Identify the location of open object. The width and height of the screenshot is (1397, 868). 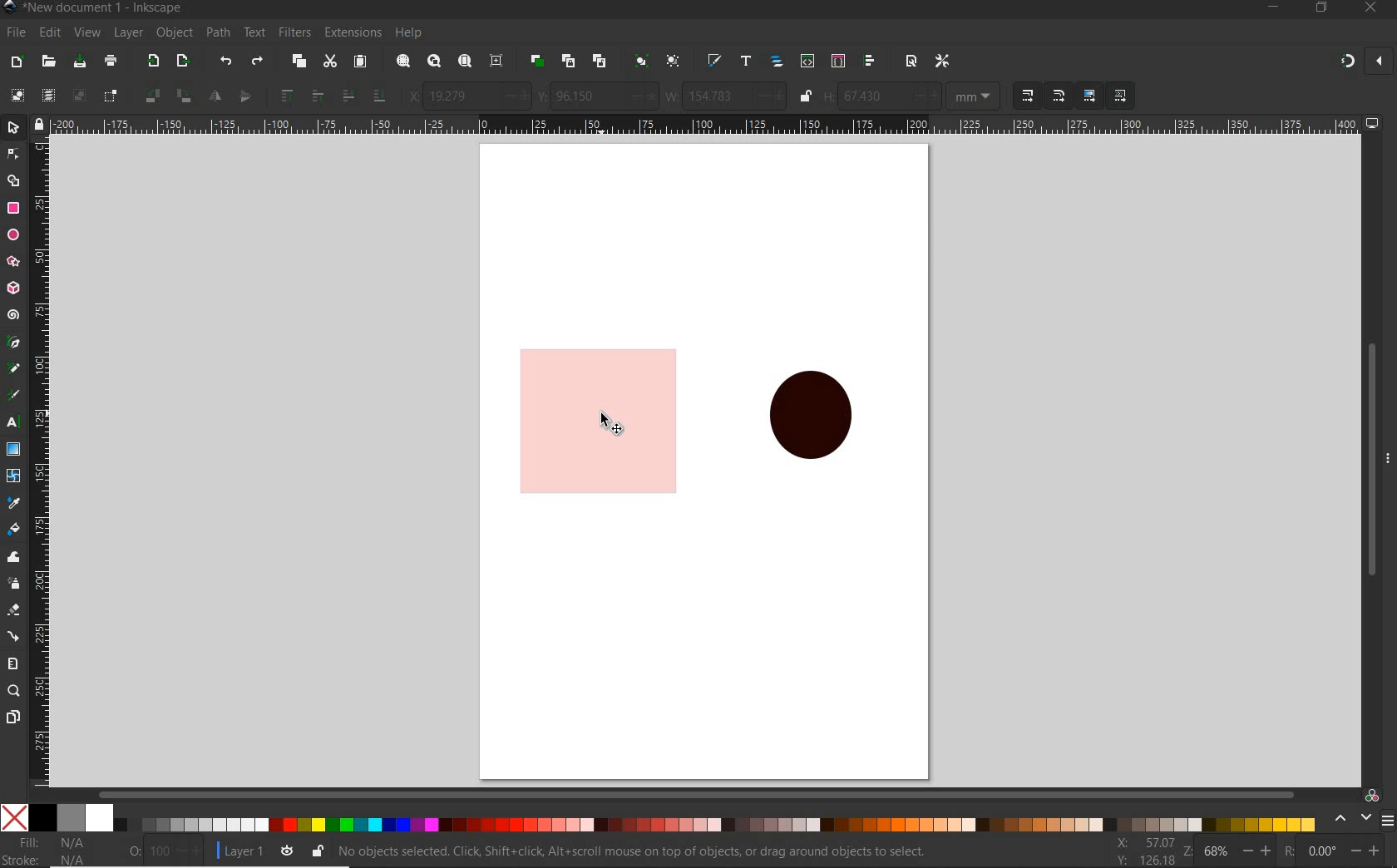
(777, 62).